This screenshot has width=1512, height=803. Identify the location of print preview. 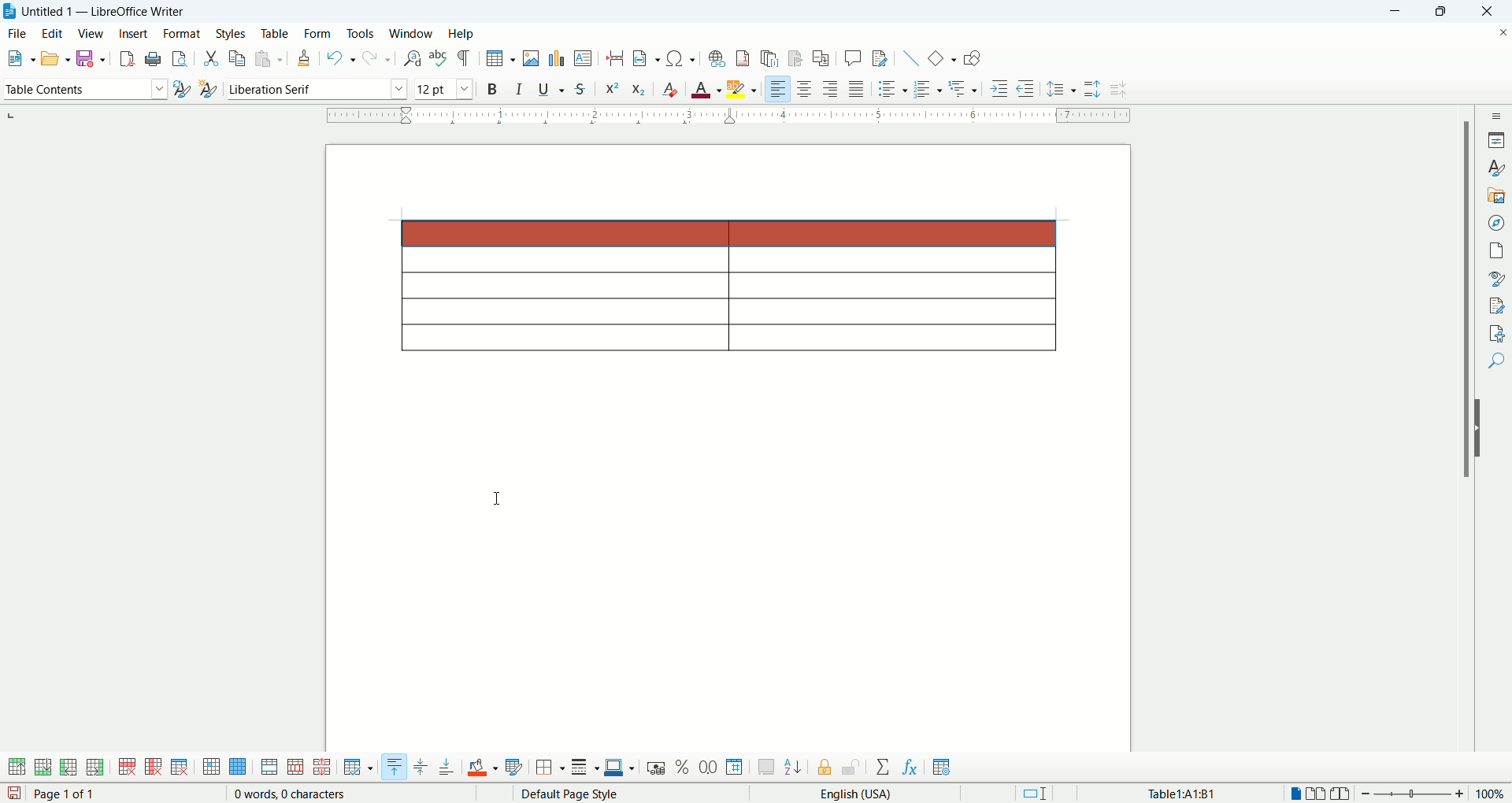
(182, 56).